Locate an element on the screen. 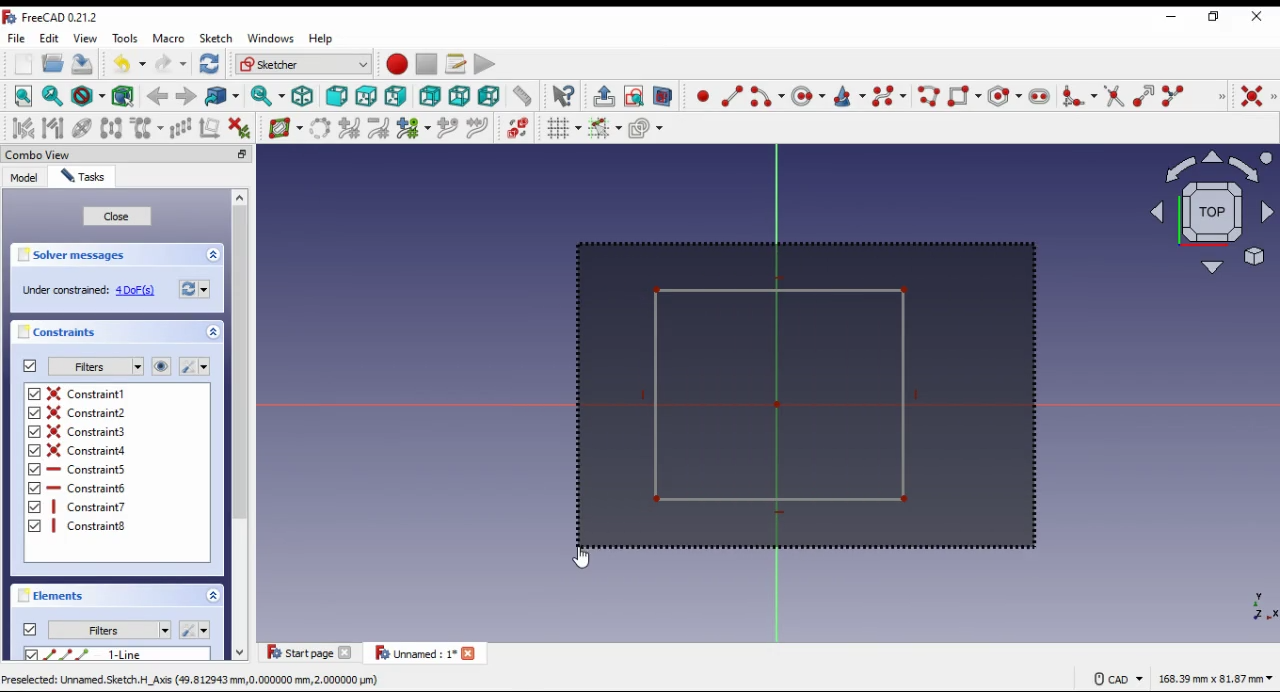 The width and height of the screenshot is (1280, 692). on/off constraint 3 is located at coordinates (86, 430).